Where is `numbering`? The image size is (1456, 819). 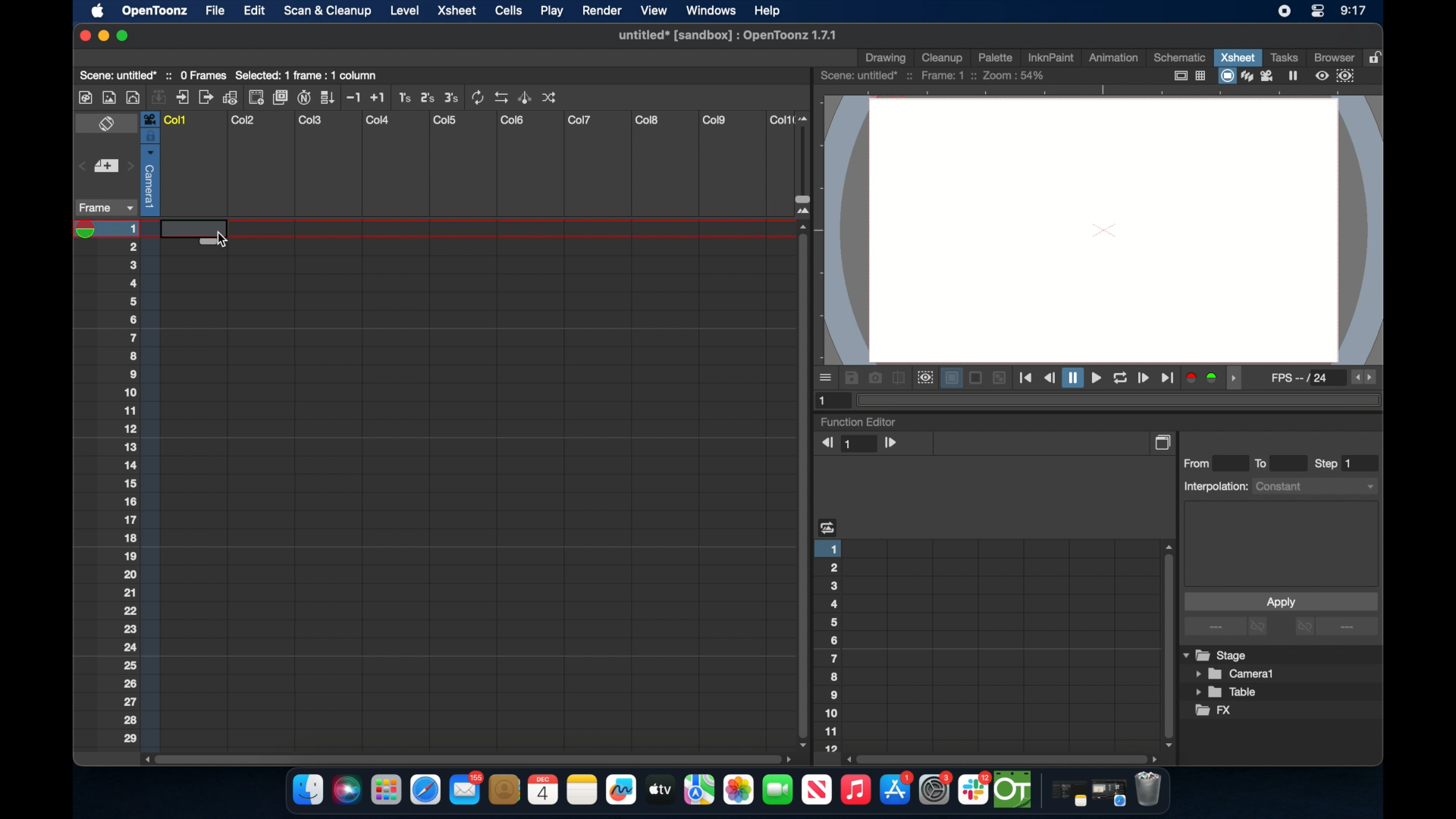
numbering is located at coordinates (131, 483).